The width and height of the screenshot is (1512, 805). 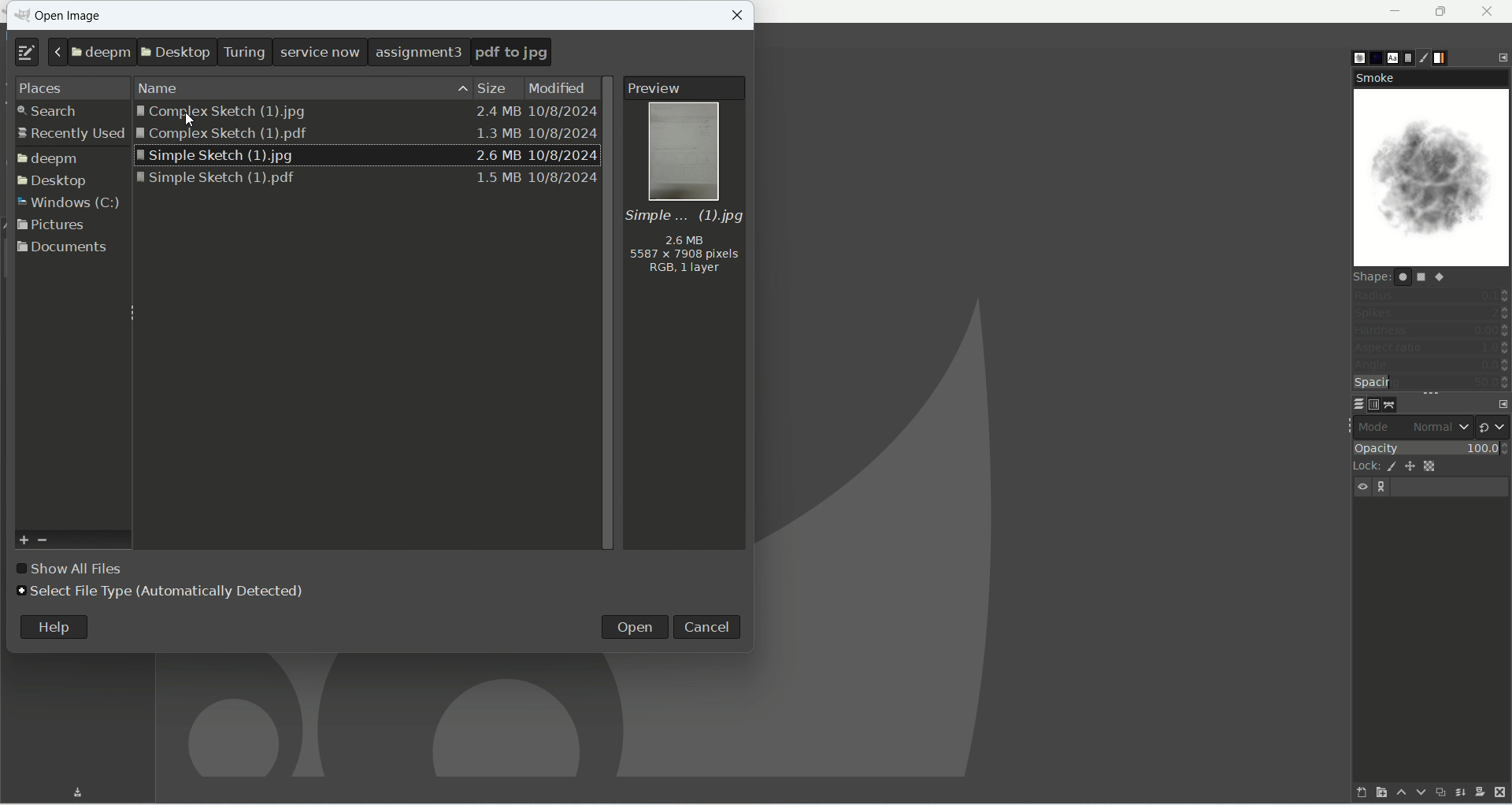 I want to click on cancel, so click(x=707, y=627).